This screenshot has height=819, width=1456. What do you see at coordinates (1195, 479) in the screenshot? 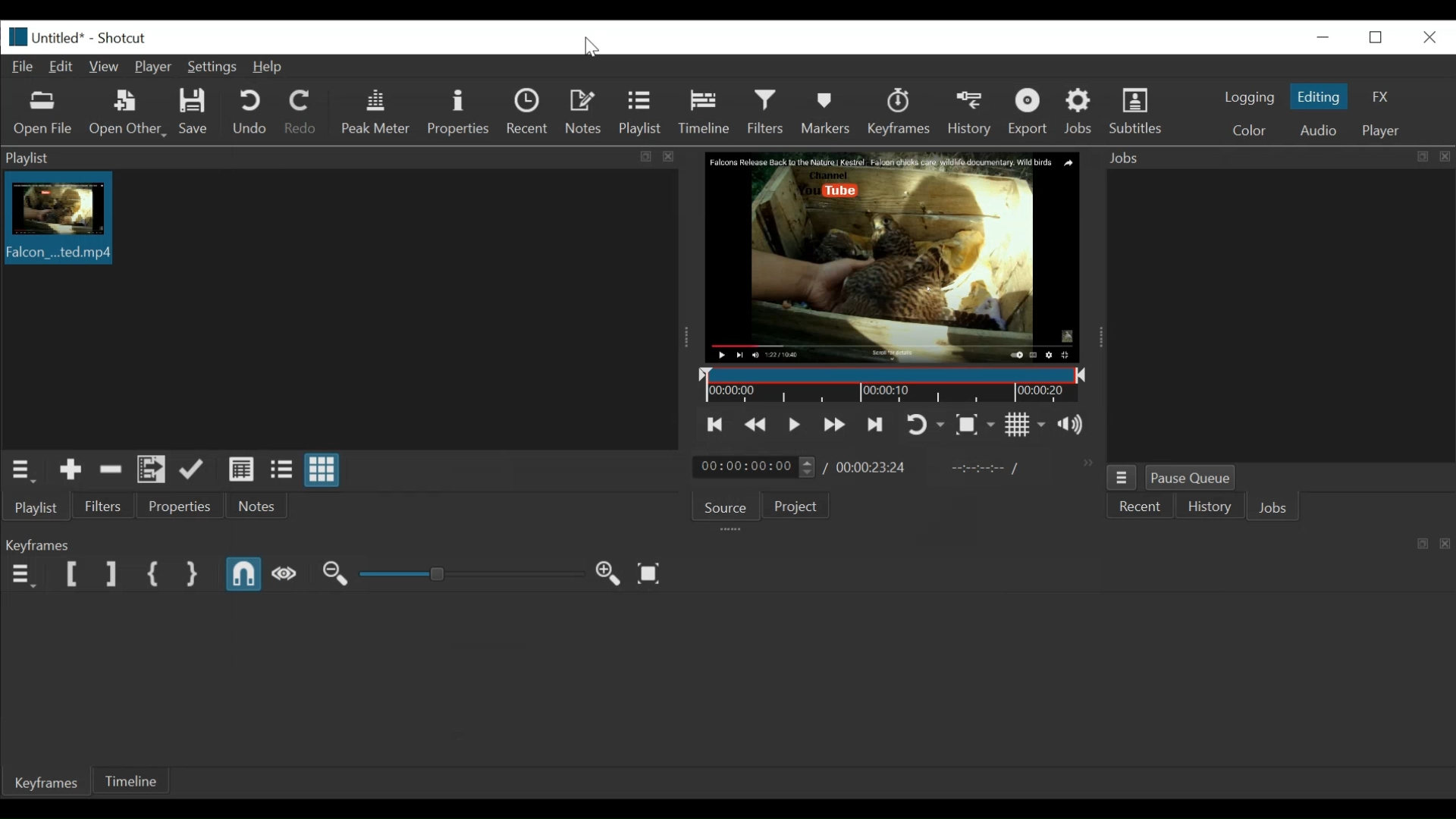
I see `Pause Queue` at bounding box center [1195, 479].